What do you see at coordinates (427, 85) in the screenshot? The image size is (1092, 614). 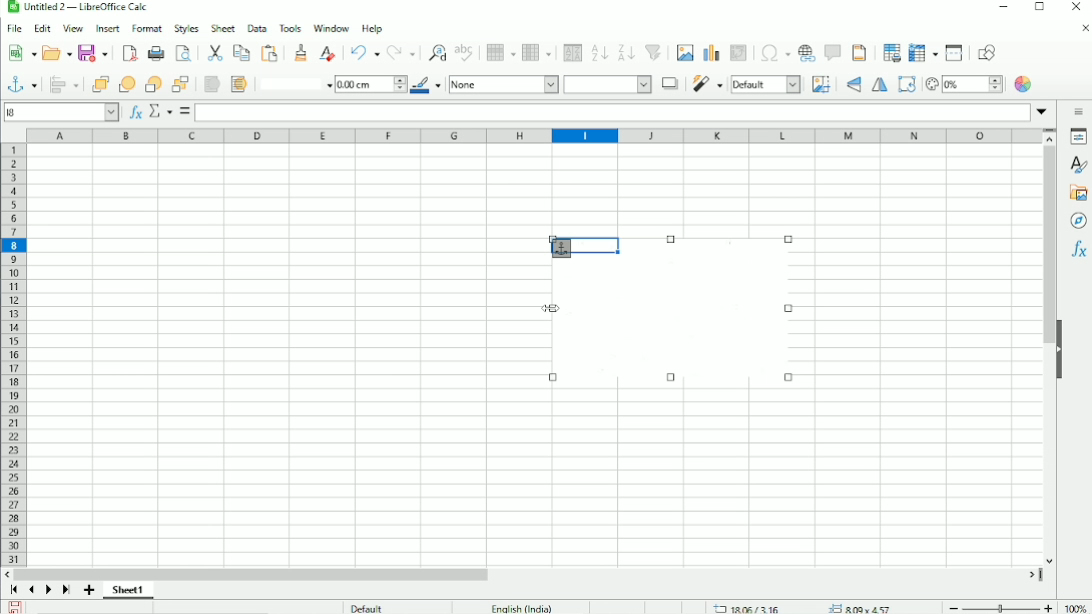 I see `Line color` at bounding box center [427, 85].